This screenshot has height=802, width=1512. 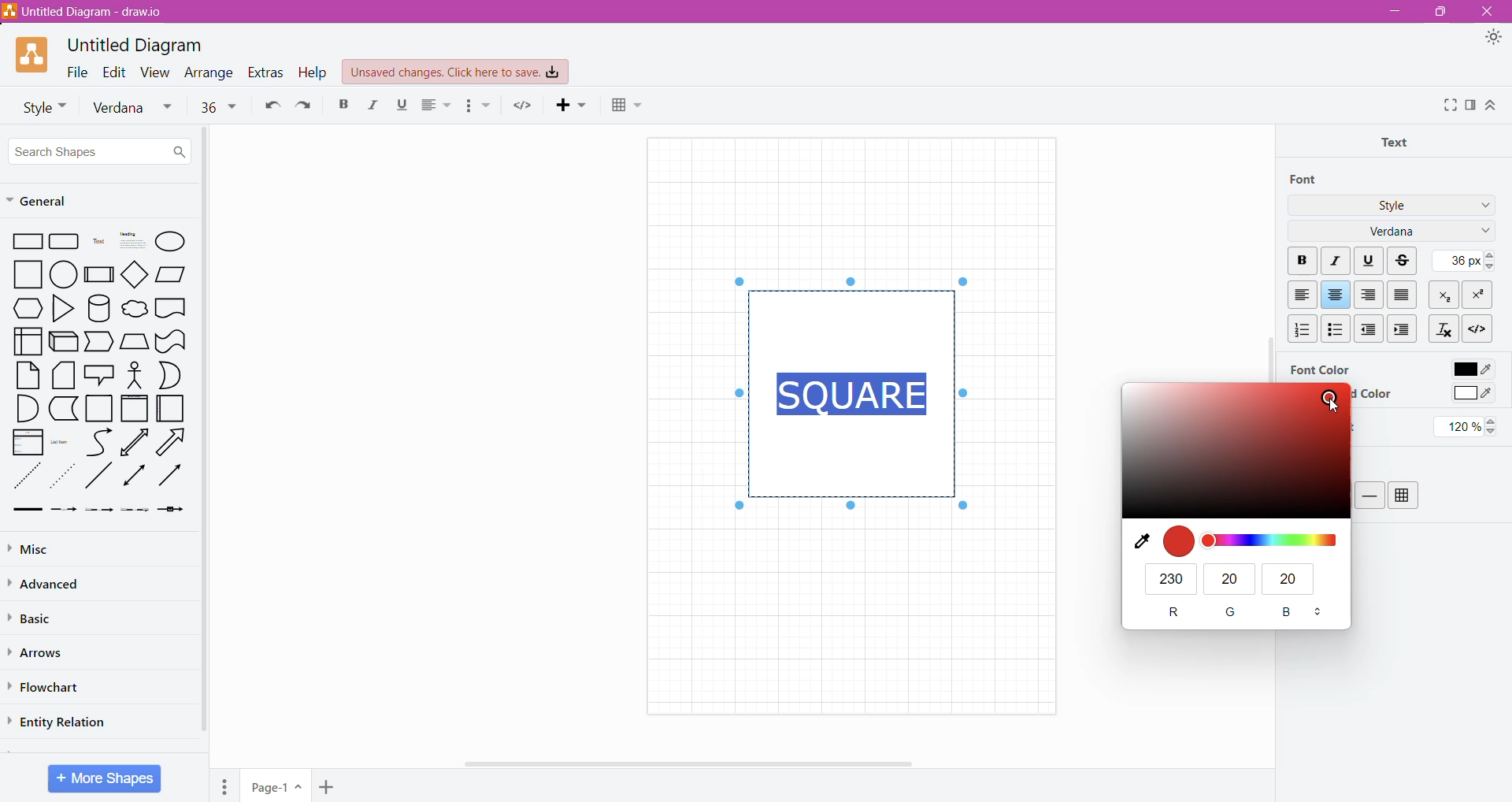 I want to click on hexagon, so click(x=27, y=308).